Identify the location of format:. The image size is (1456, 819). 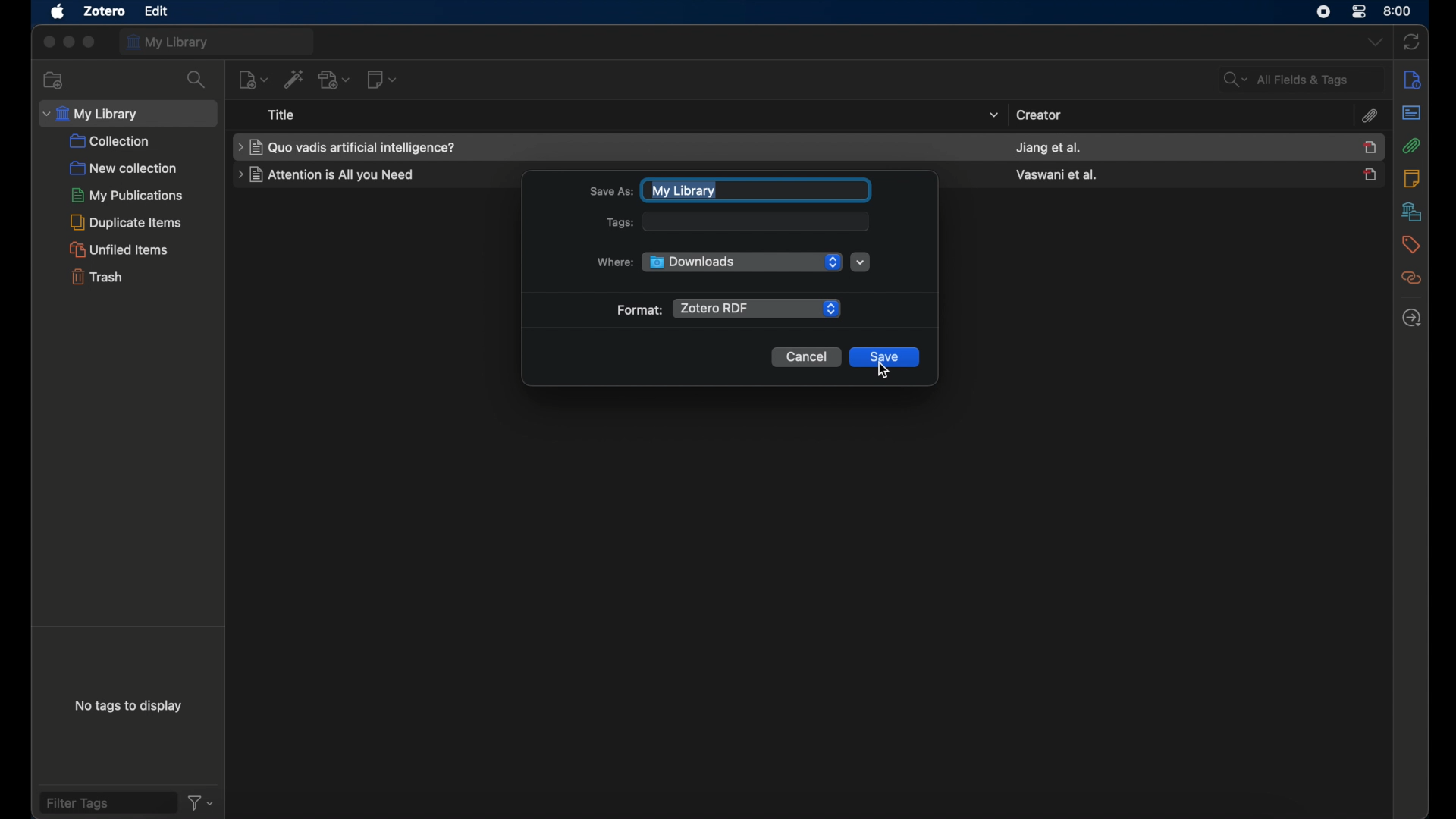
(639, 310).